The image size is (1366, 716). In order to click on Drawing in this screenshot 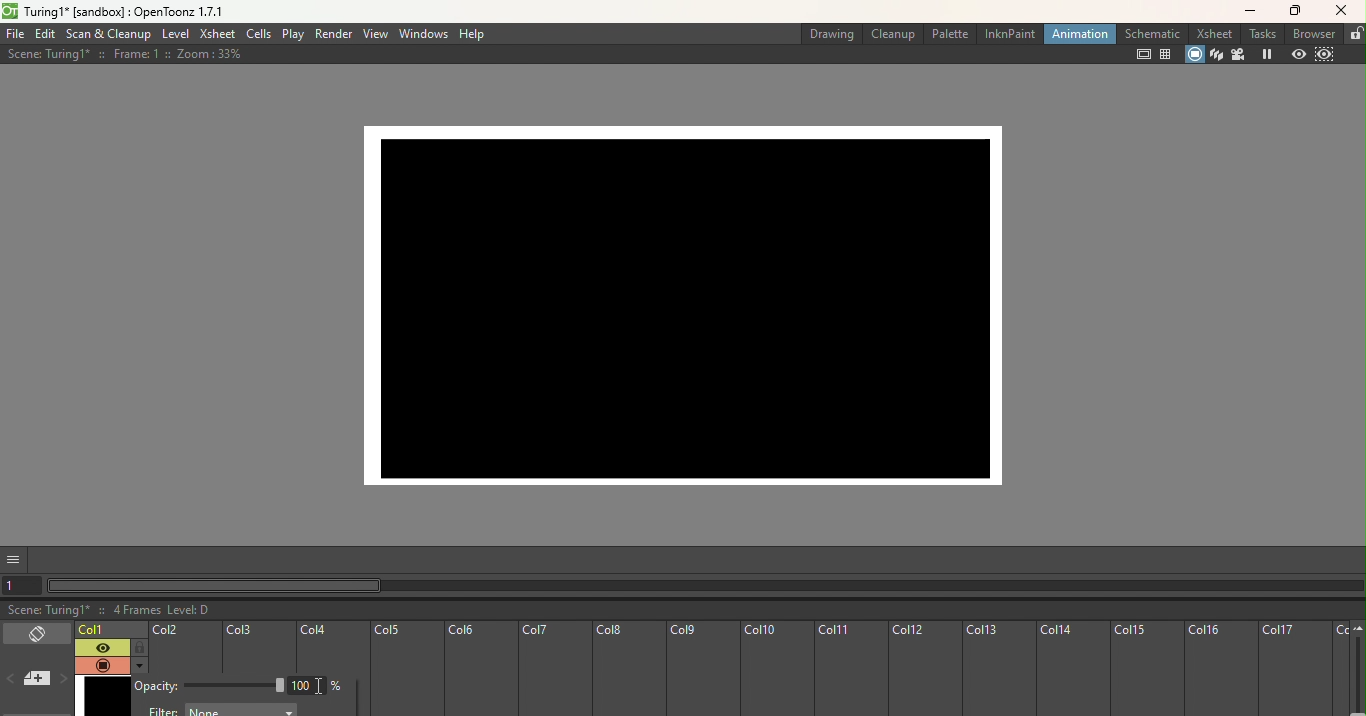, I will do `click(828, 32)`.